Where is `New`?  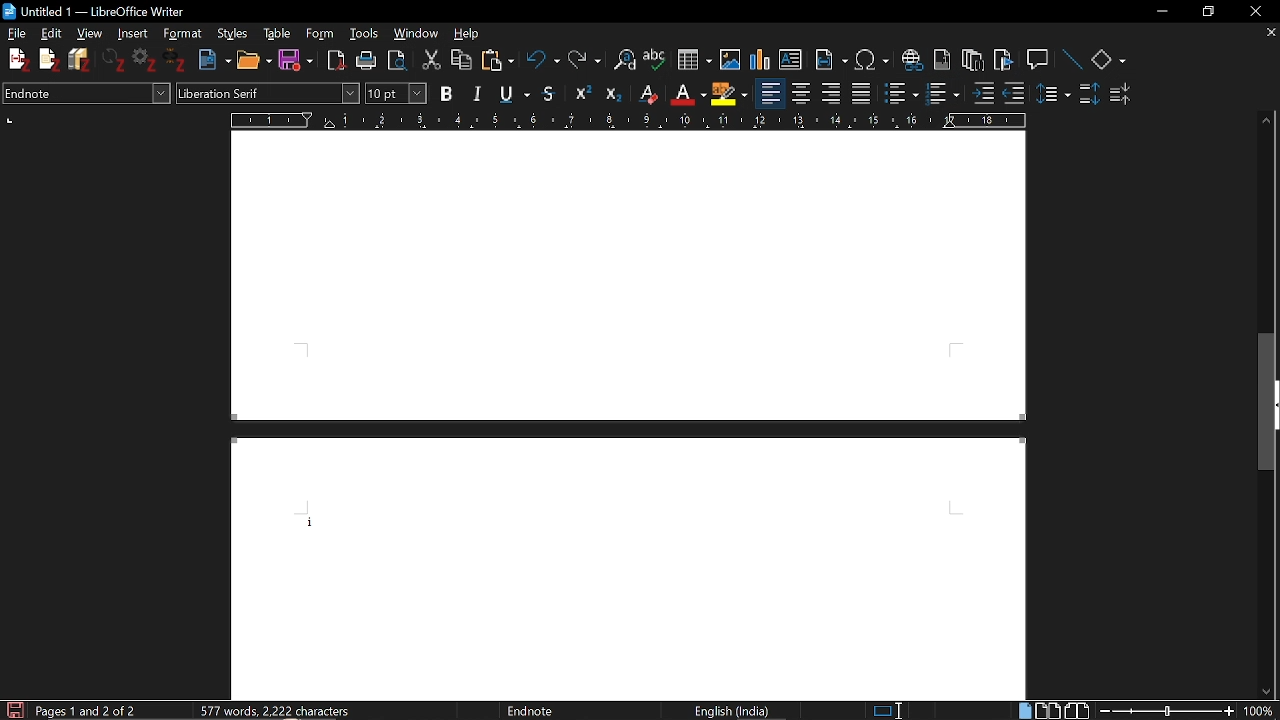 New is located at coordinates (214, 61).